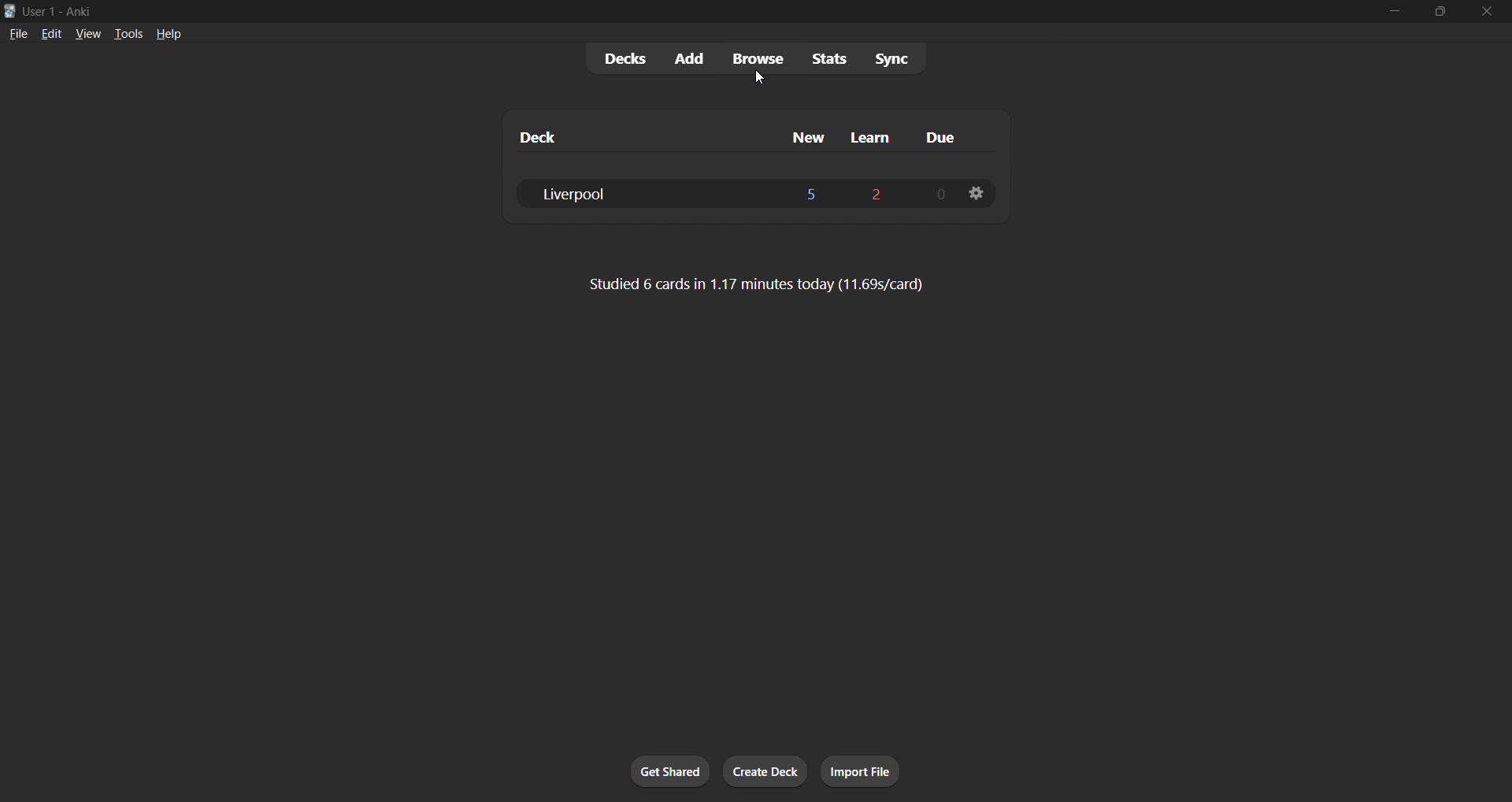 The height and width of the screenshot is (802, 1512). Describe the element at coordinates (769, 284) in the screenshot. I see `personal card stats` at that location.